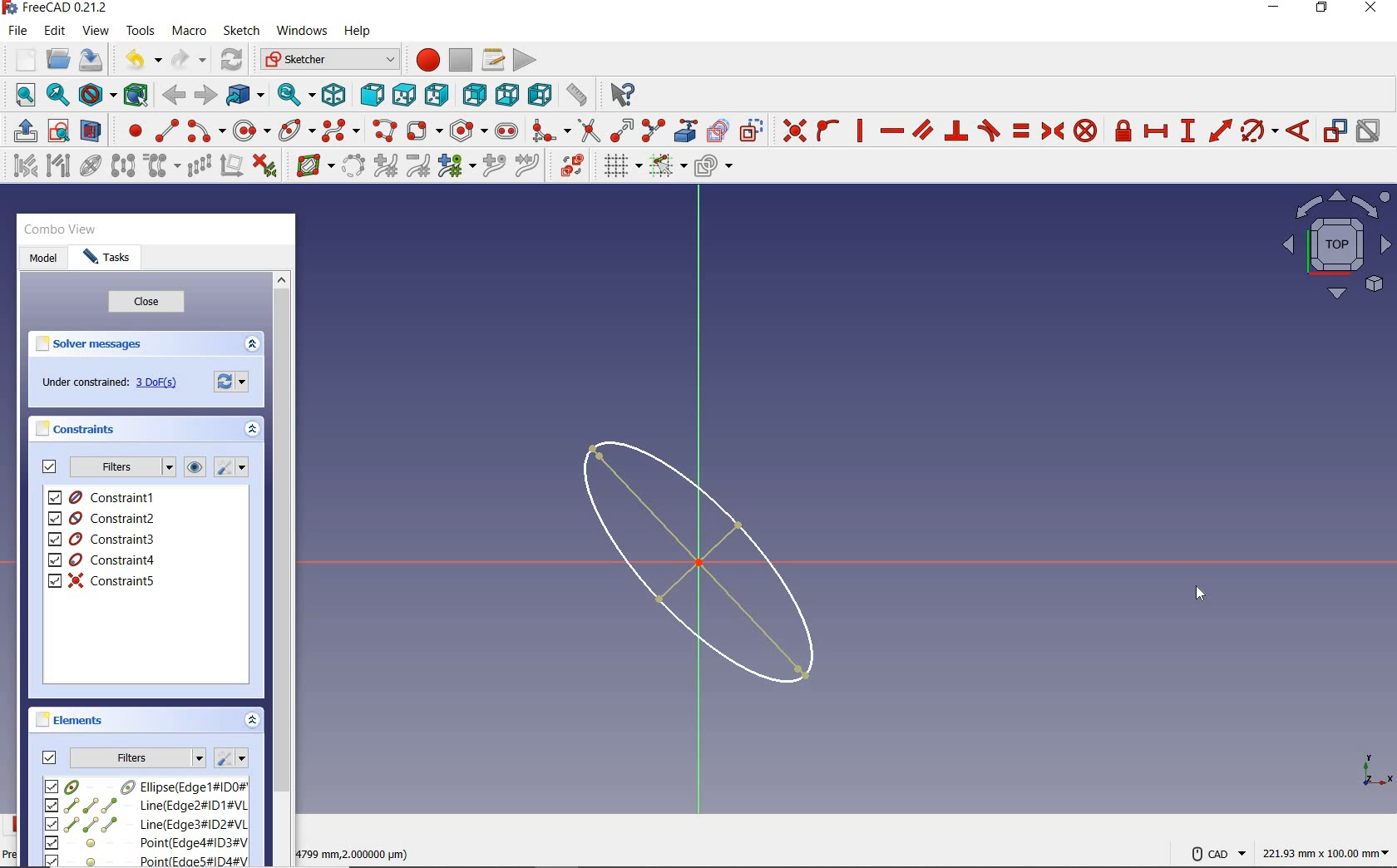  Describe the element at coordinates (654, 130) in the screenshot. I see `split edge` at that location.